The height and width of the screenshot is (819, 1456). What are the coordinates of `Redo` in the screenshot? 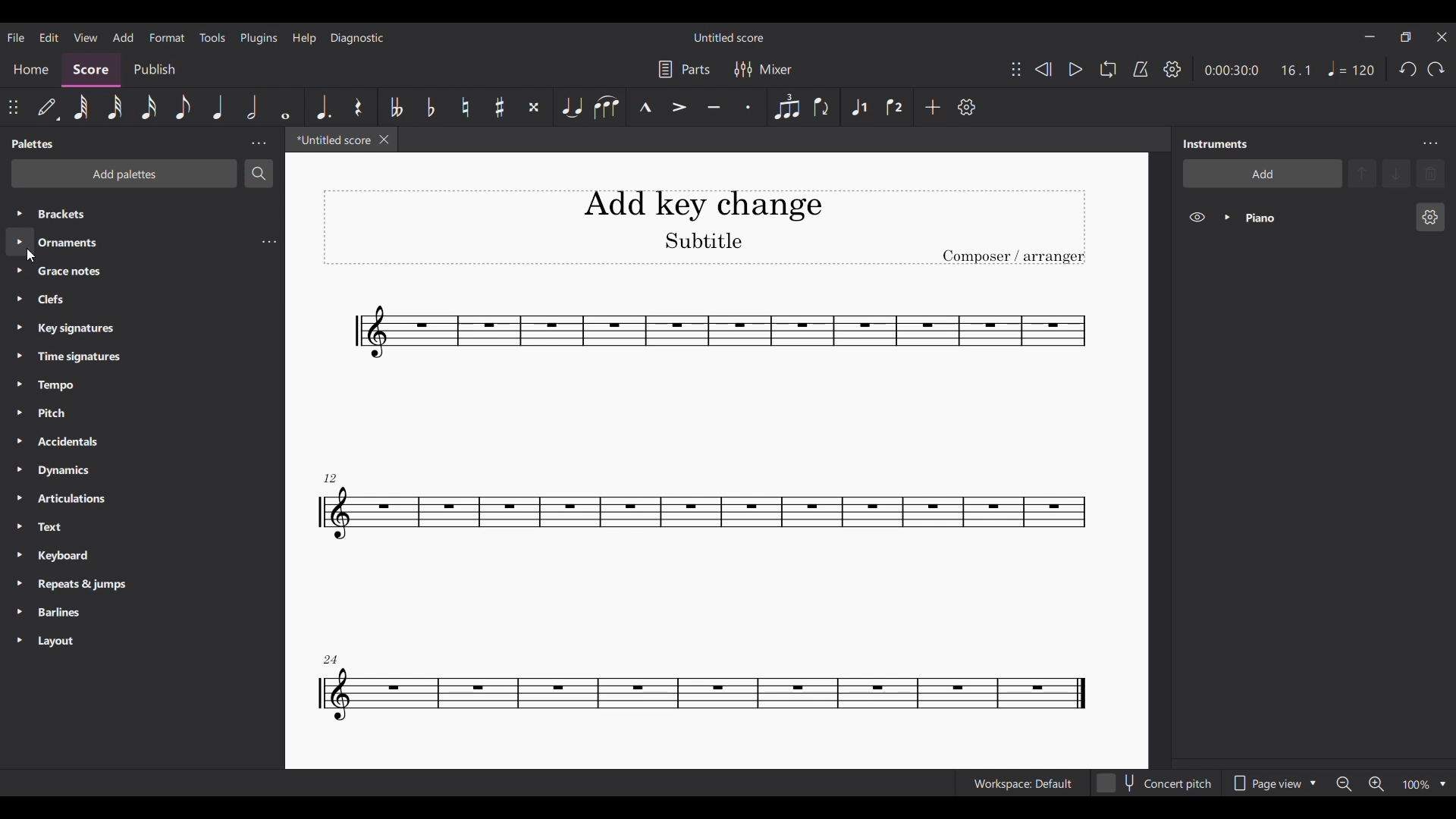 It's located at (1436, 70).